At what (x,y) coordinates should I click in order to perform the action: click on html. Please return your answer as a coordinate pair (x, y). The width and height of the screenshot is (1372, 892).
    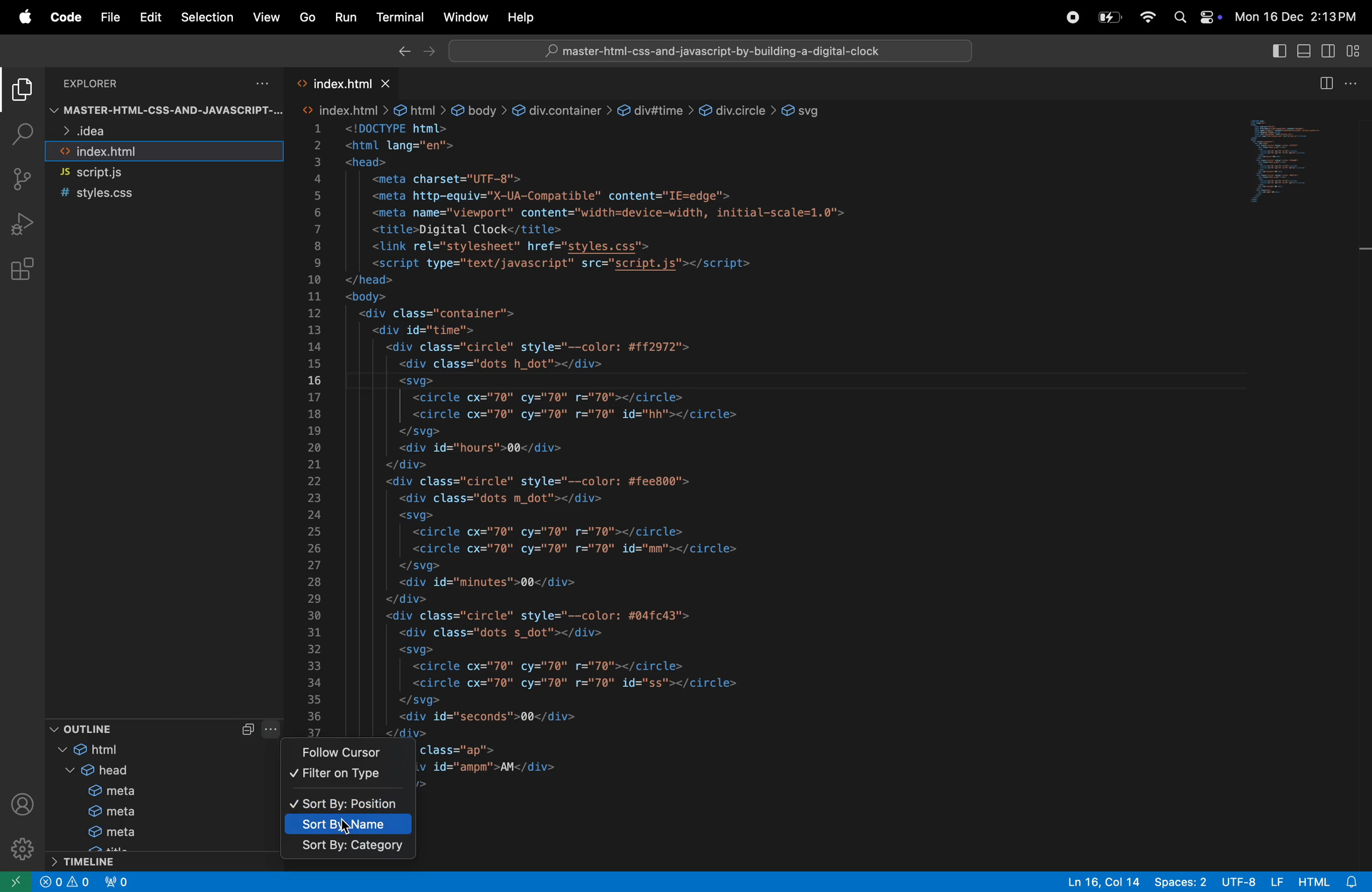
    Looking at the image, I should click on (161, 749).